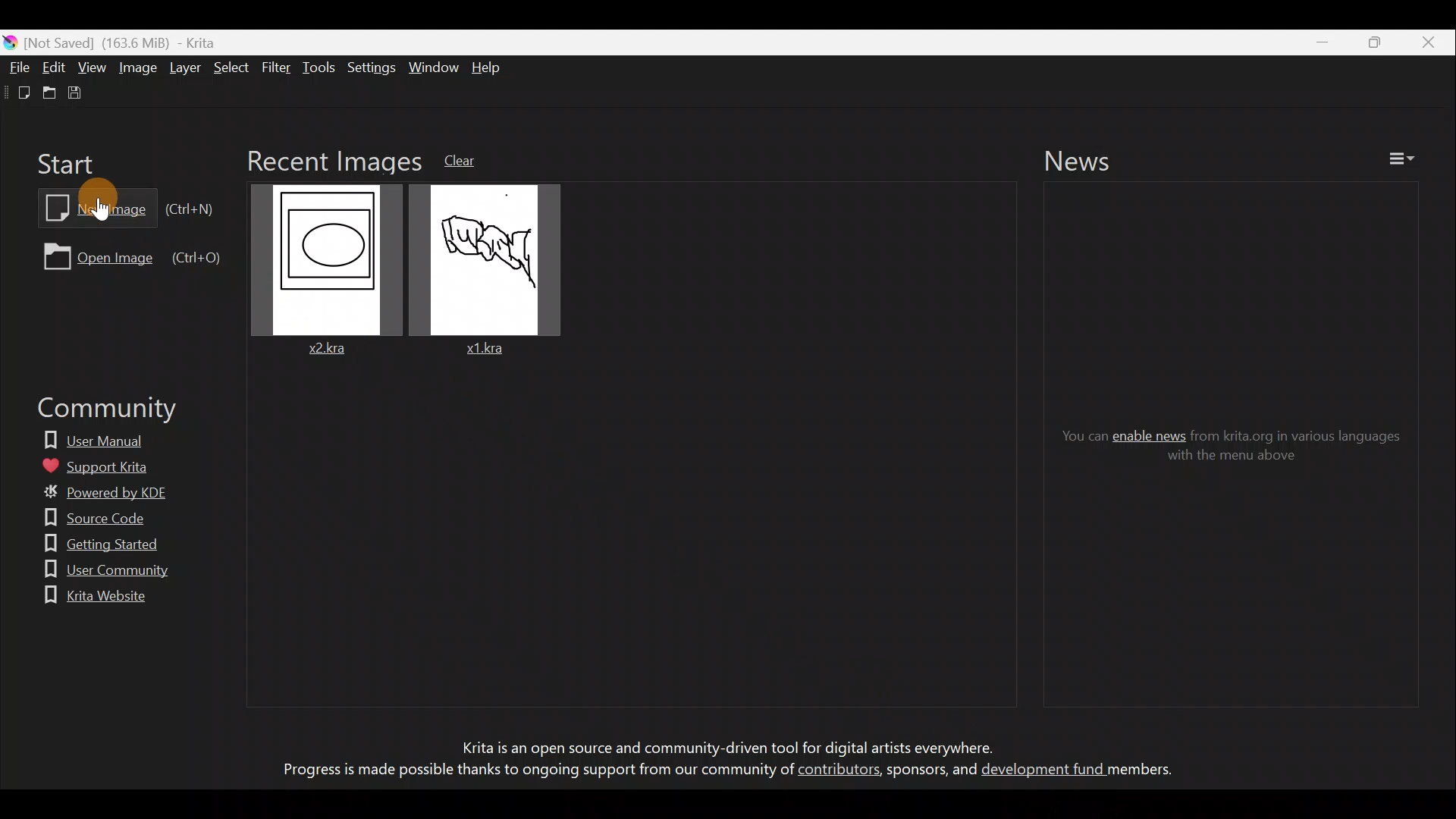  What do you see at coordinates (433, 65) in the screenshot?
I see `Window` at bounding box center [433, 65].